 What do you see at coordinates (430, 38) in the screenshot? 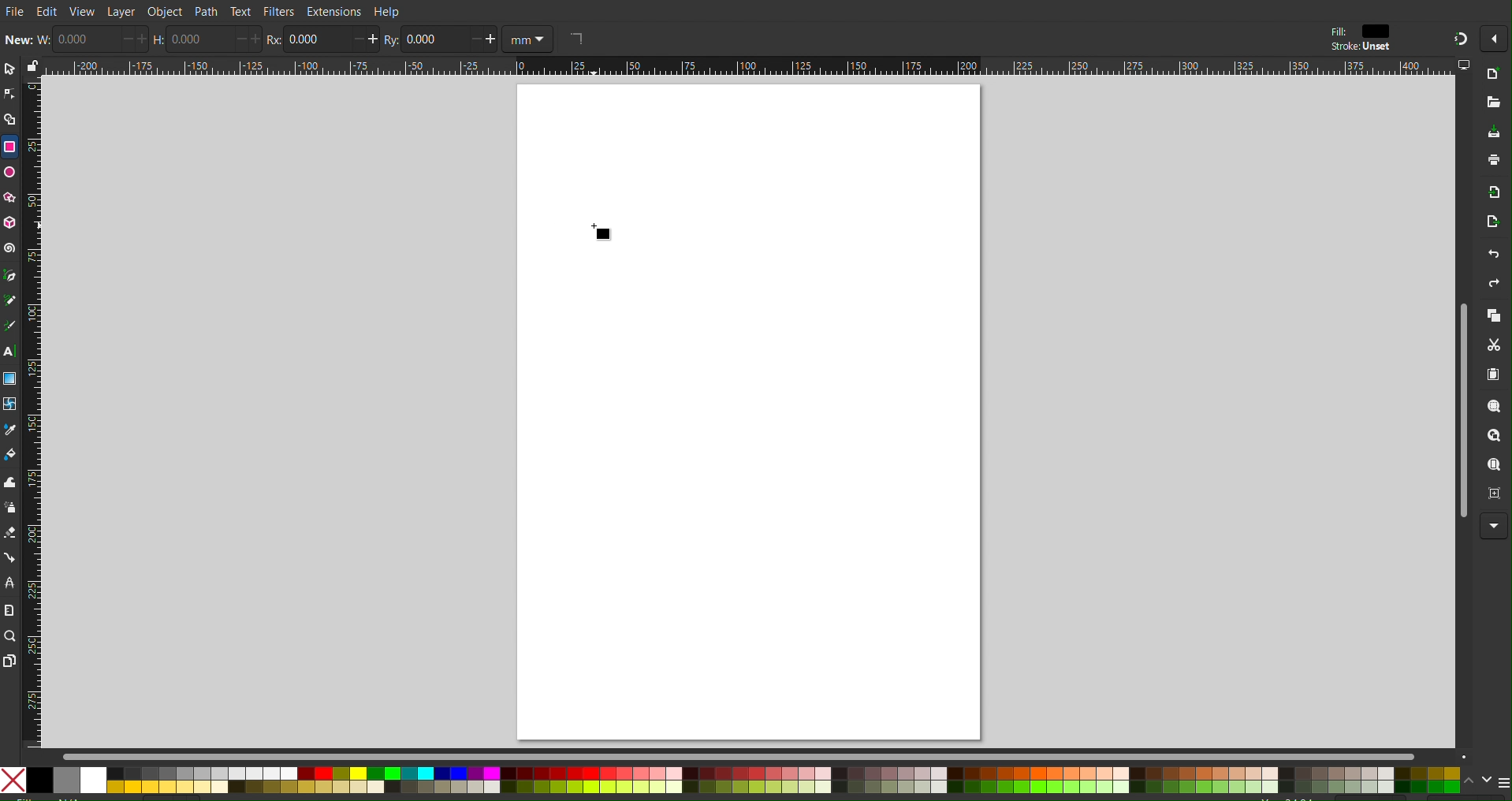
I see `0.000` at bounding box center [430, 38].